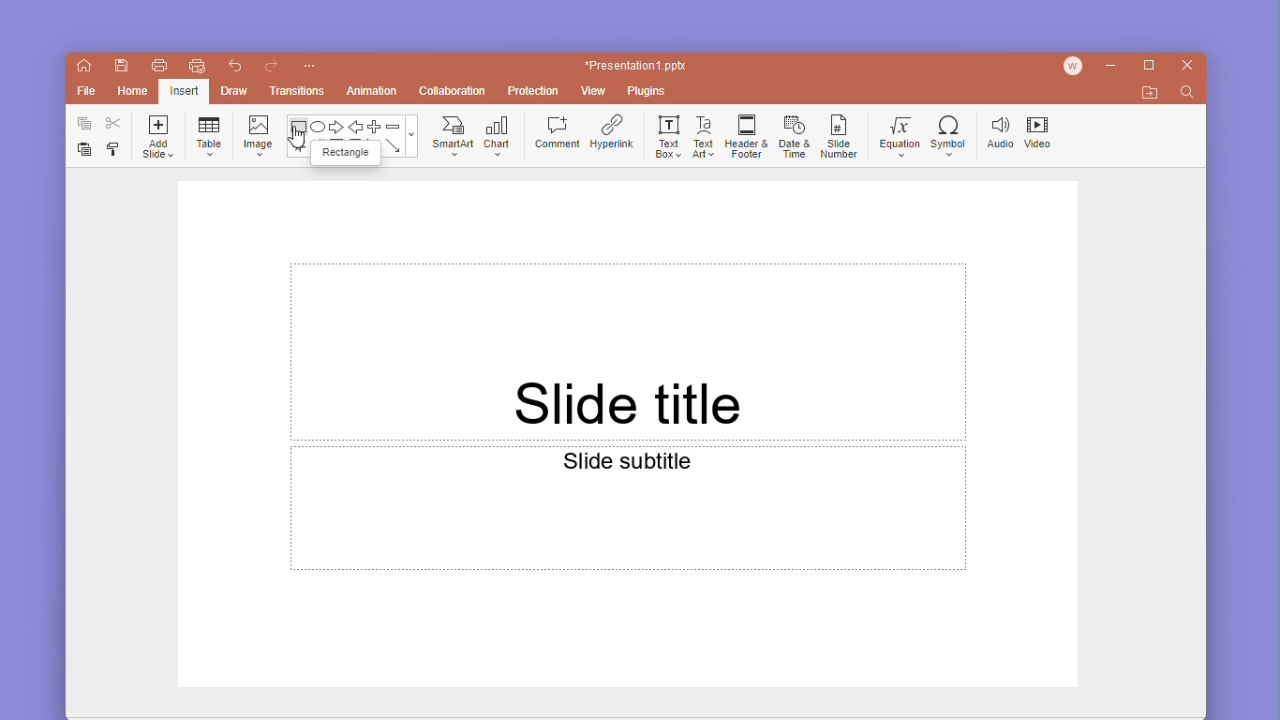  Describe the element at coordinates (1149, 93) in the screenshot. I see `open file location` at that location.